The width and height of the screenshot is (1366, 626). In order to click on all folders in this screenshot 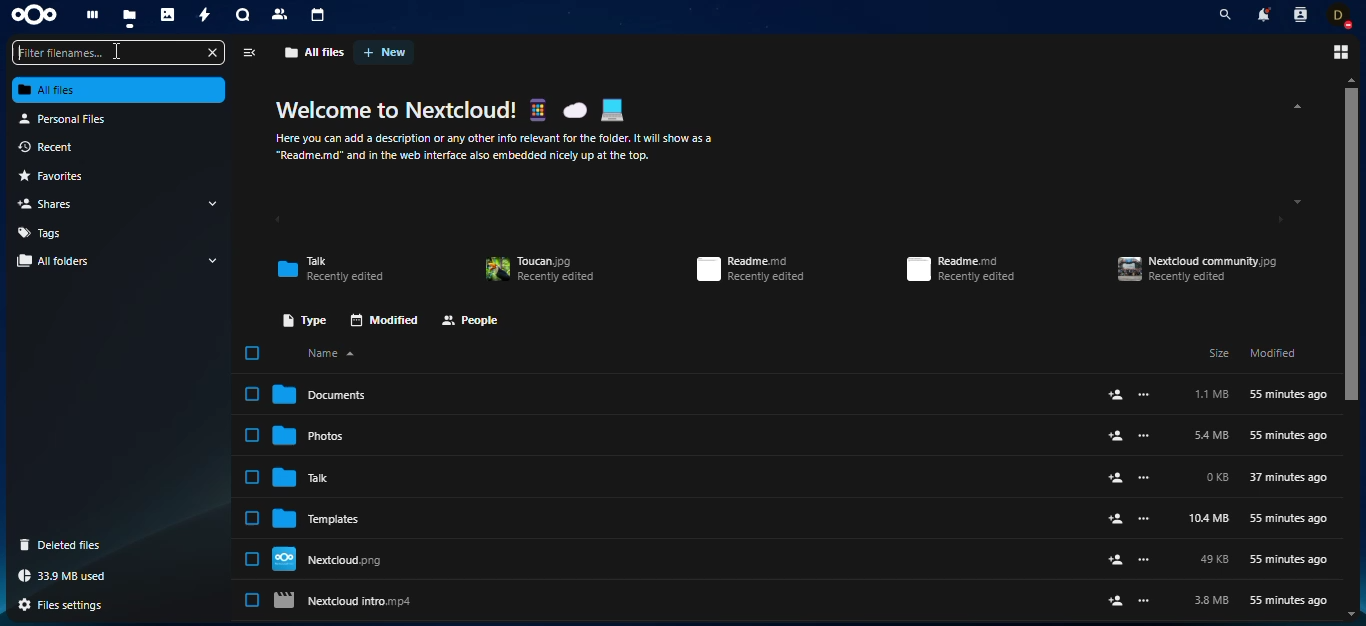, I will do `click(59, 261)`.